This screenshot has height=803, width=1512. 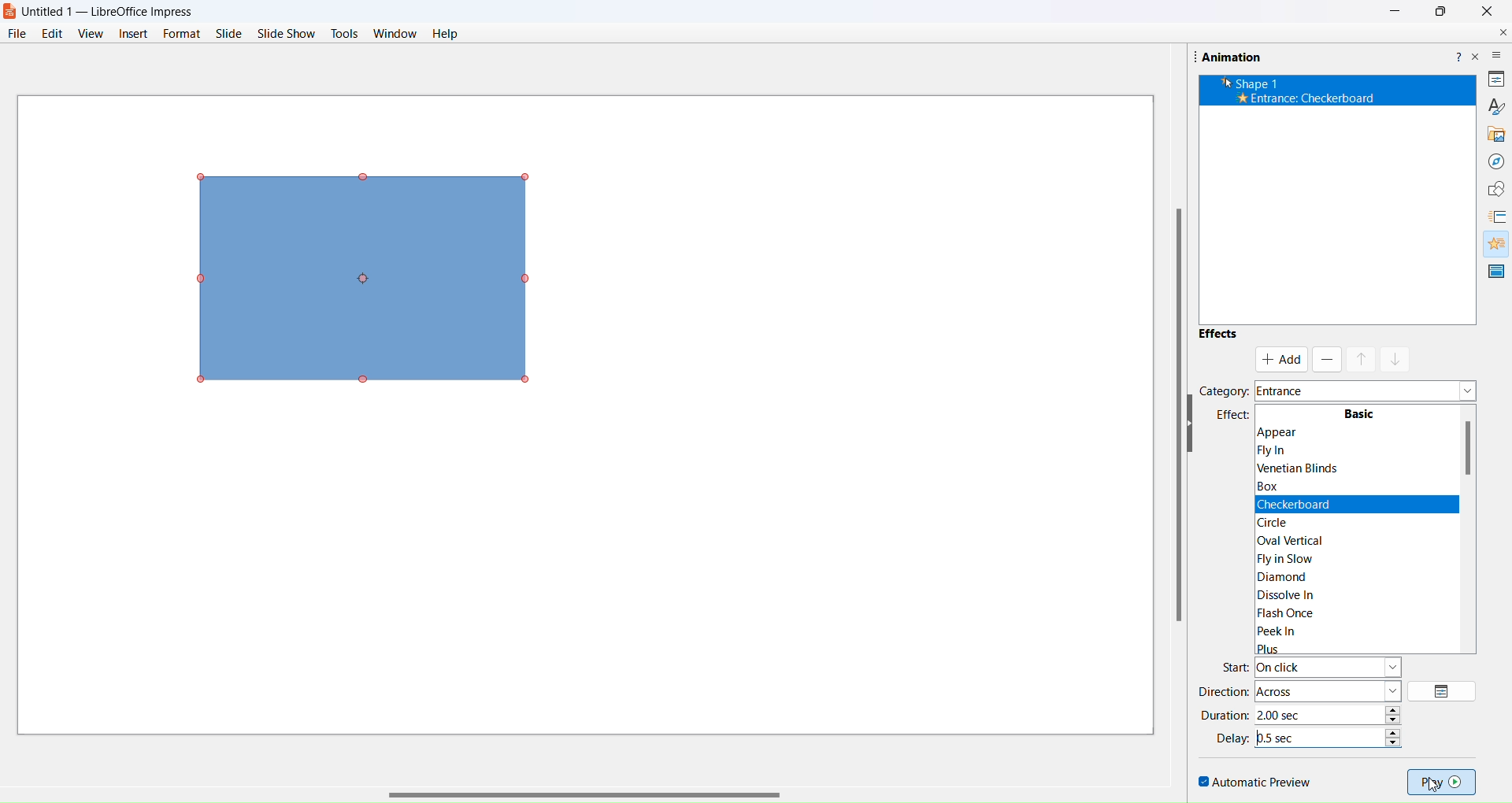 I want to click on help, so click(x=445, y=35).